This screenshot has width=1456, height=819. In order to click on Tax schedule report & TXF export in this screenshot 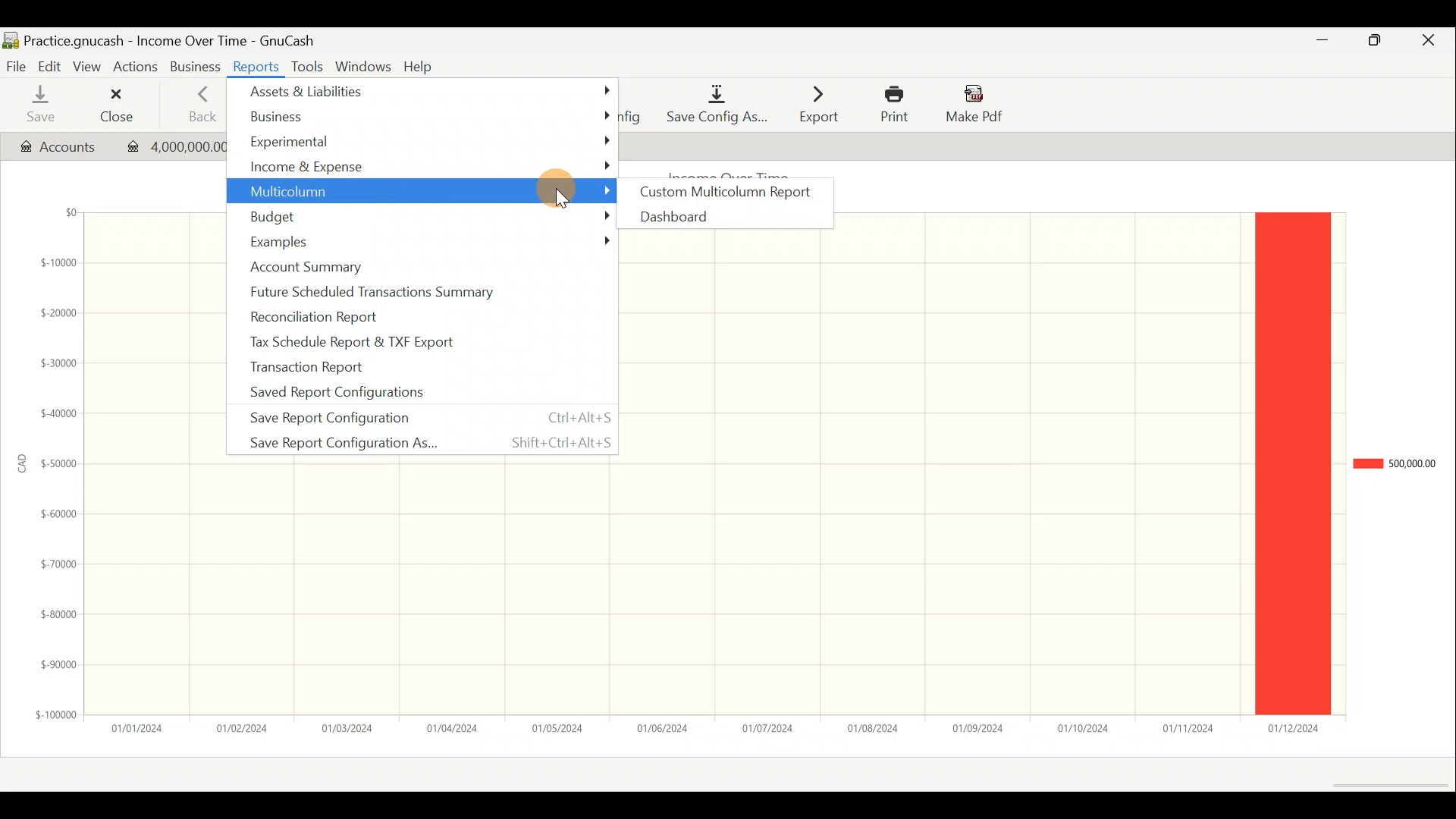, I will do `click(406, 342)`.